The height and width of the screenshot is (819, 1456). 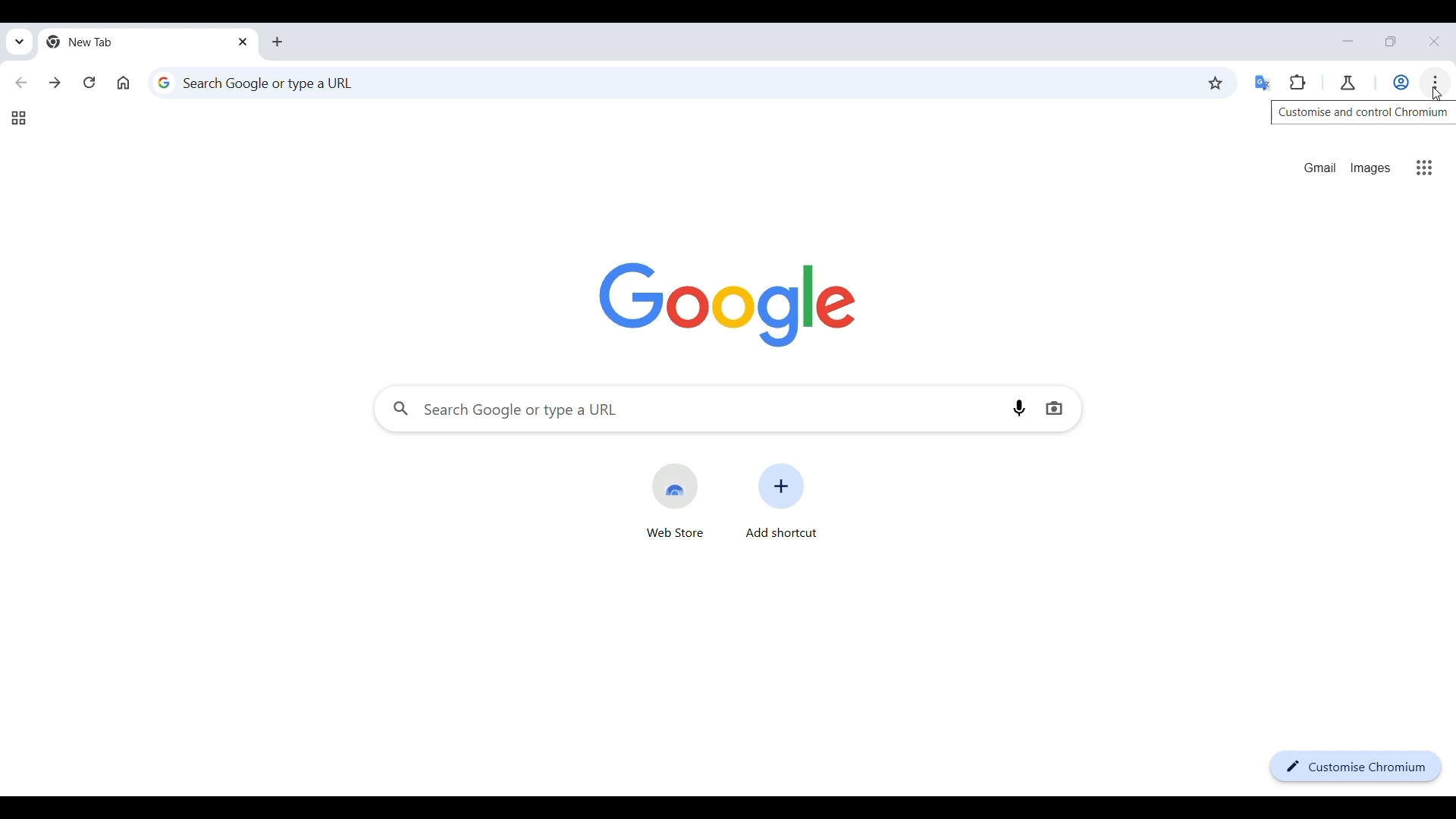 What do you see at coordinates (673, 83) in the screenshot?
I see `Search web or enter web link` at bounding box center [673, 83].